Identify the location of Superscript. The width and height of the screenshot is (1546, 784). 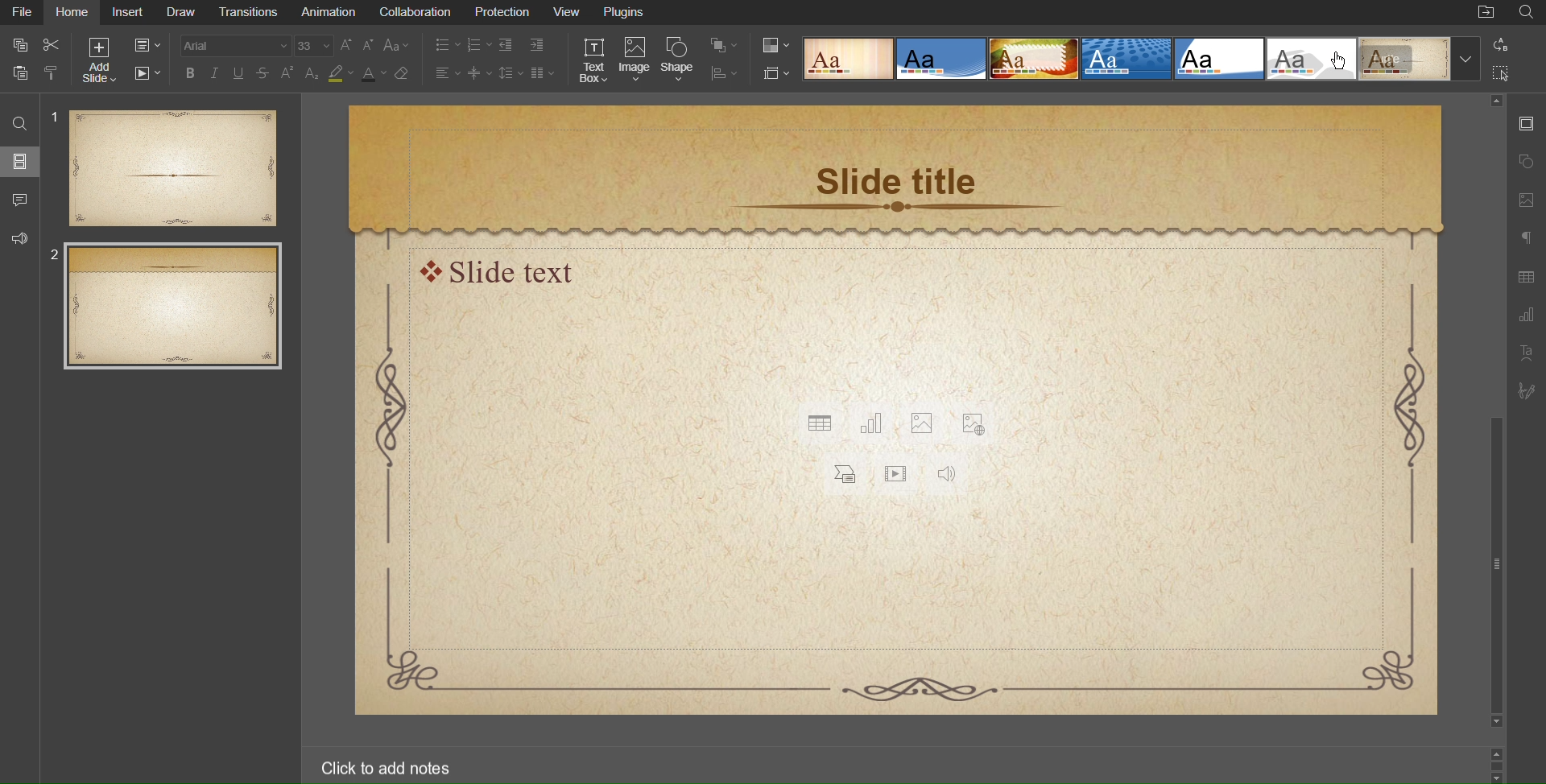
(288, 74).